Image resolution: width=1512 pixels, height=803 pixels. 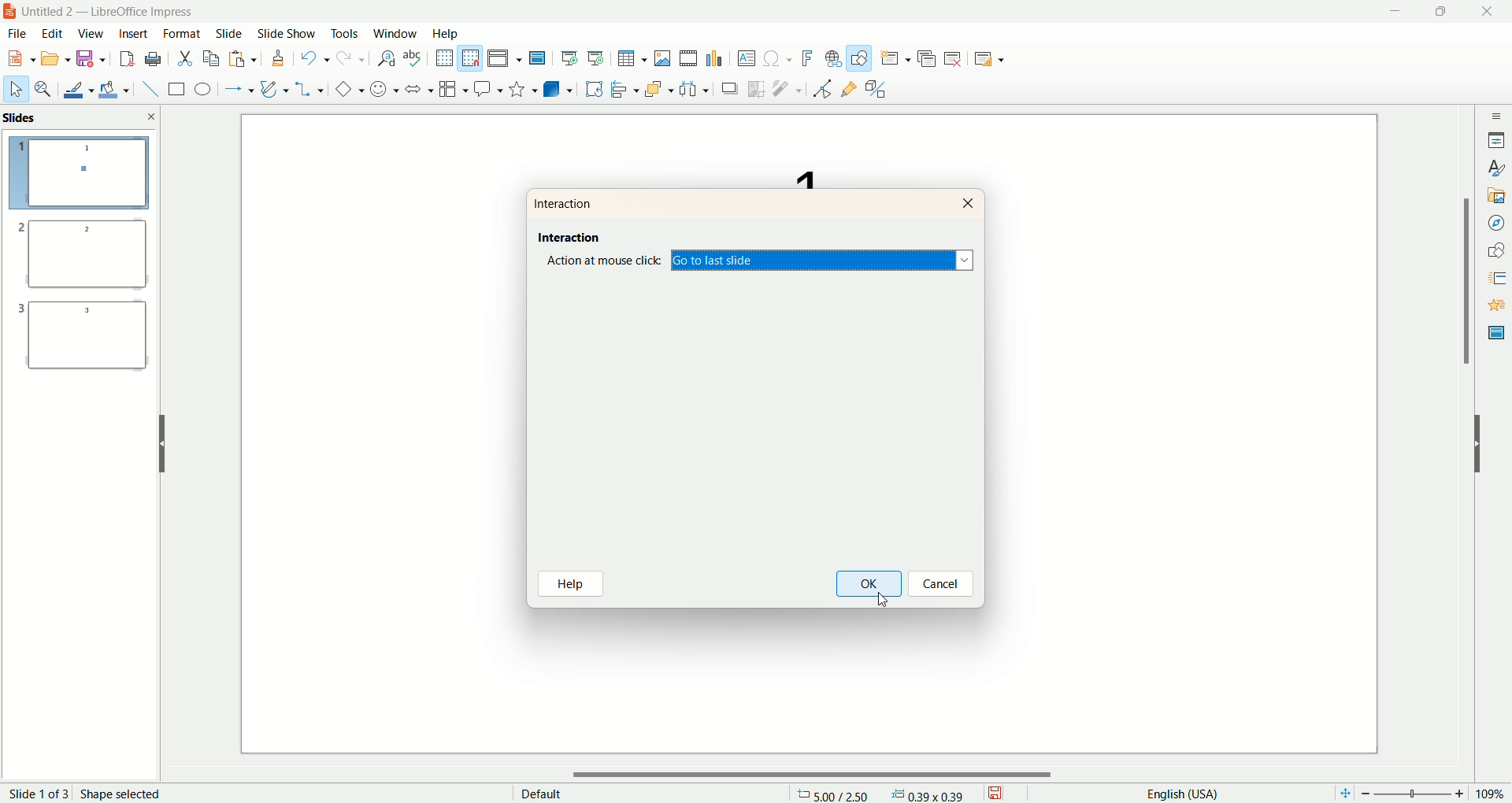 What do you see at coordinates (654, 87) in the screenshot?
I see `arrange` at bounding box center [654, 87].